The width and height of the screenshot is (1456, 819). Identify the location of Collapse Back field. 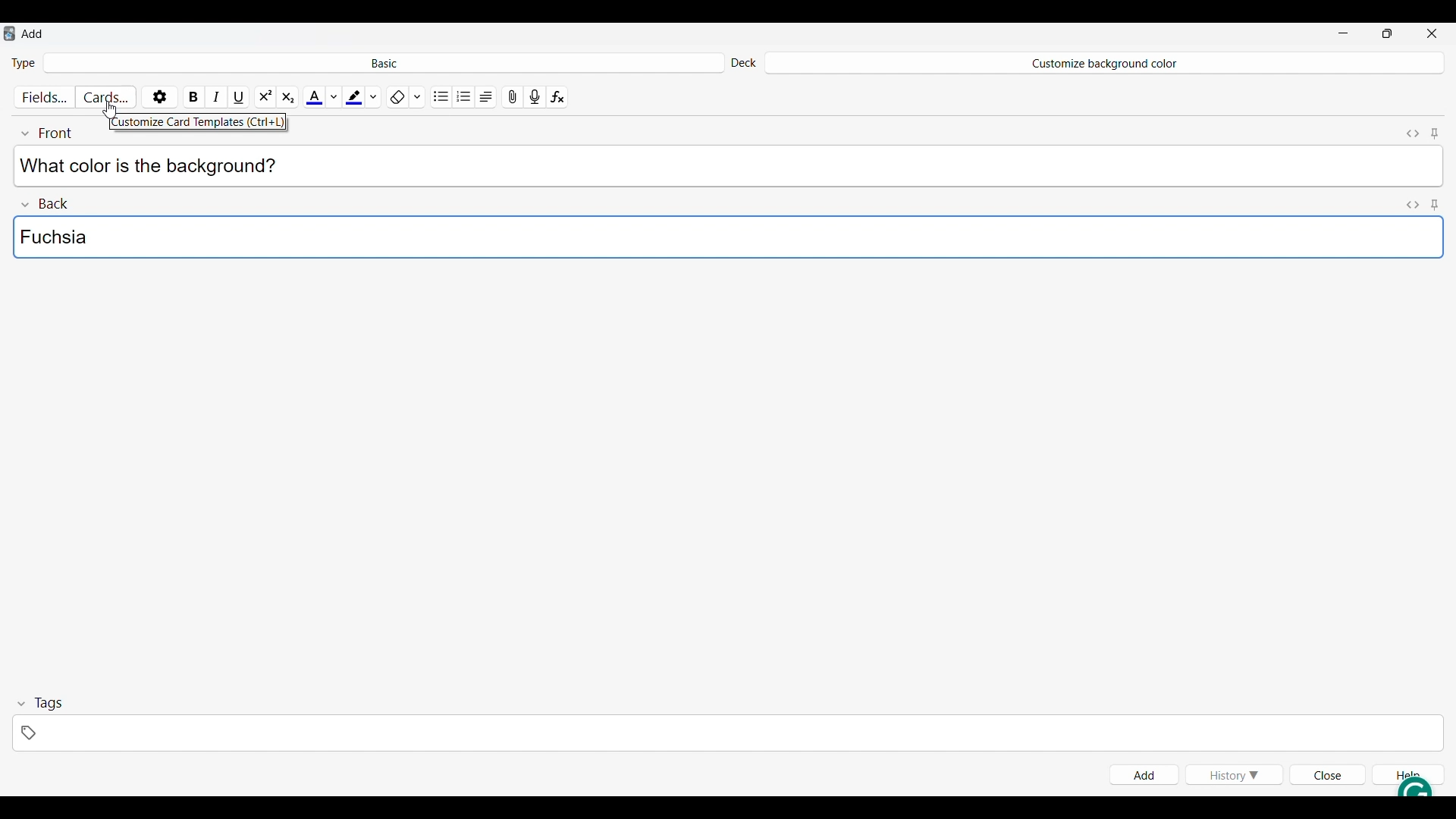
(45, 202).